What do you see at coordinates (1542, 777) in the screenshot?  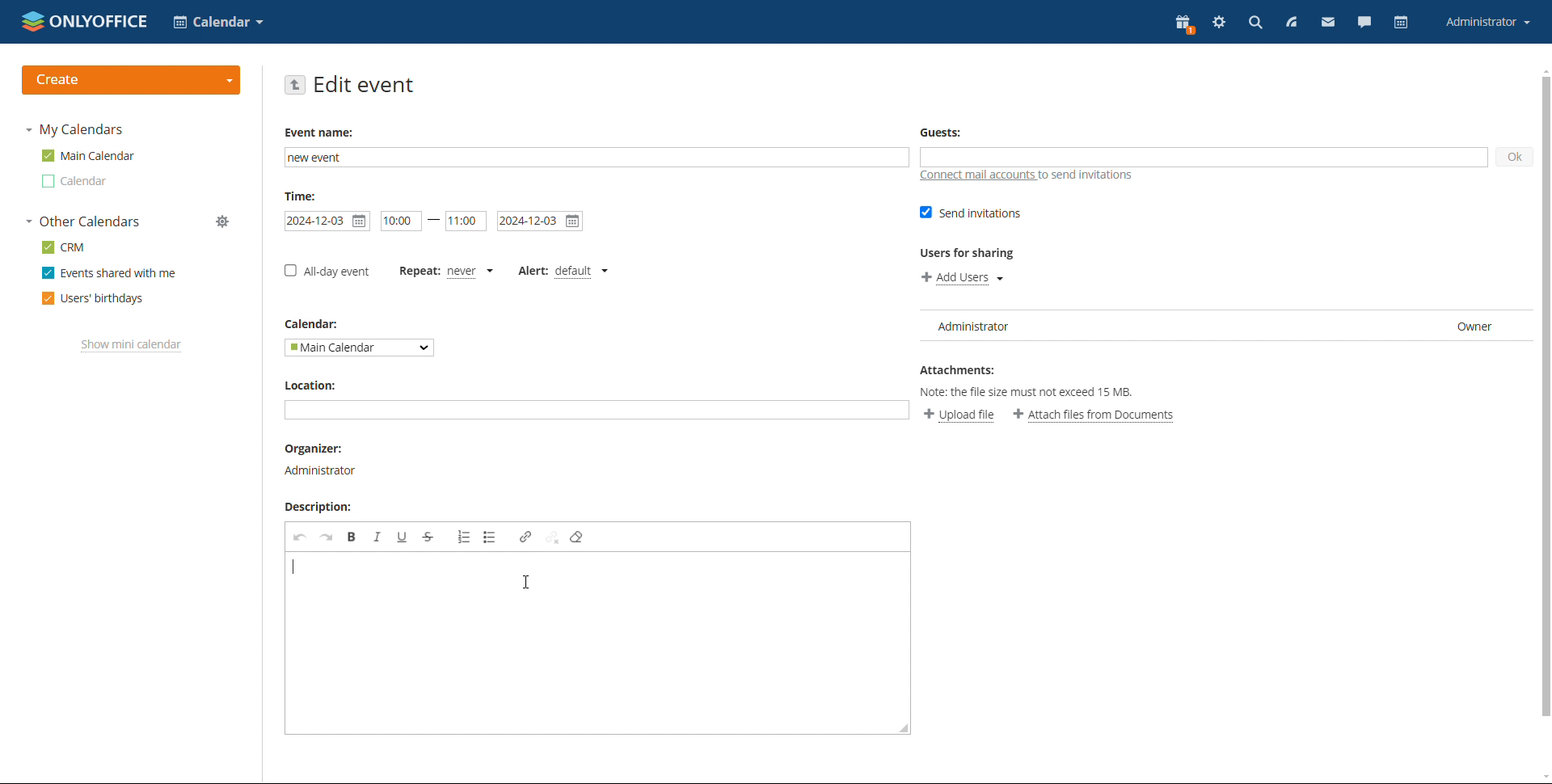 I see `scroll down` at bounding box center [1542, 777].